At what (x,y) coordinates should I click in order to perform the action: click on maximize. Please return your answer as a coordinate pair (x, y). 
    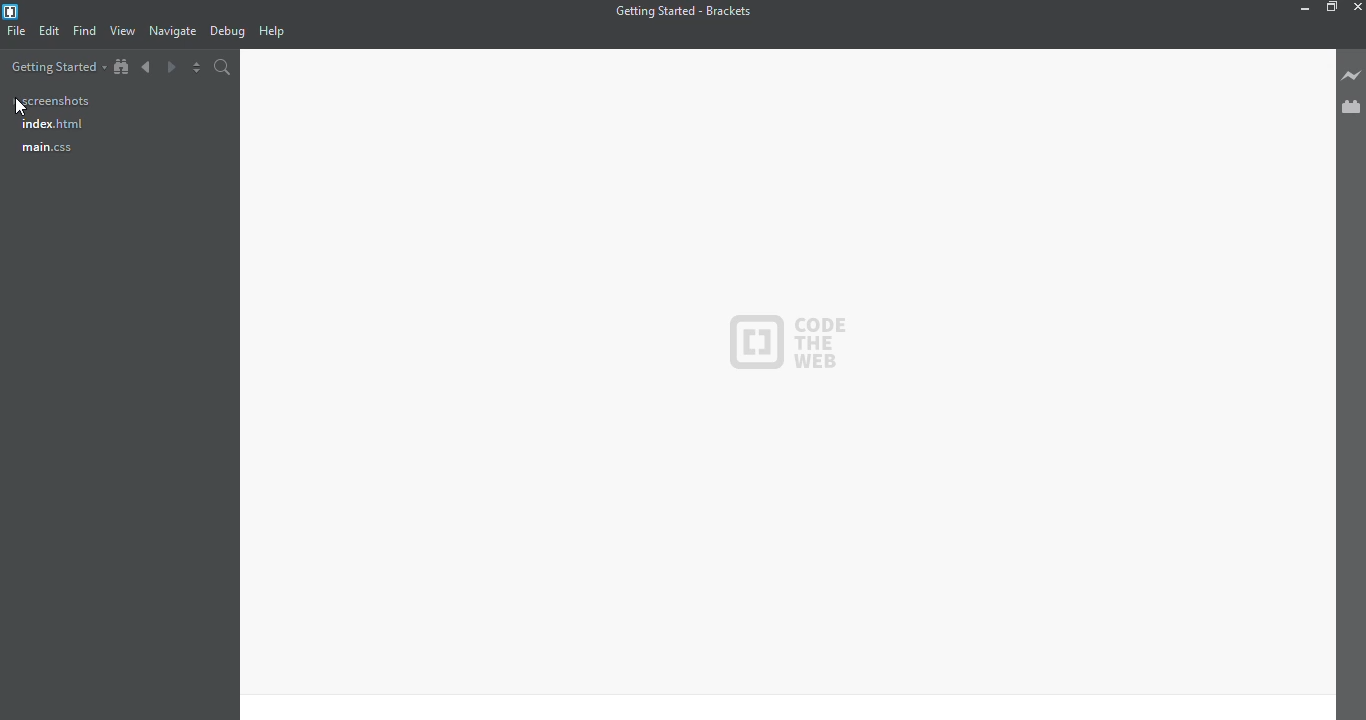
    Looking at the image, I should click on (1330, 8).